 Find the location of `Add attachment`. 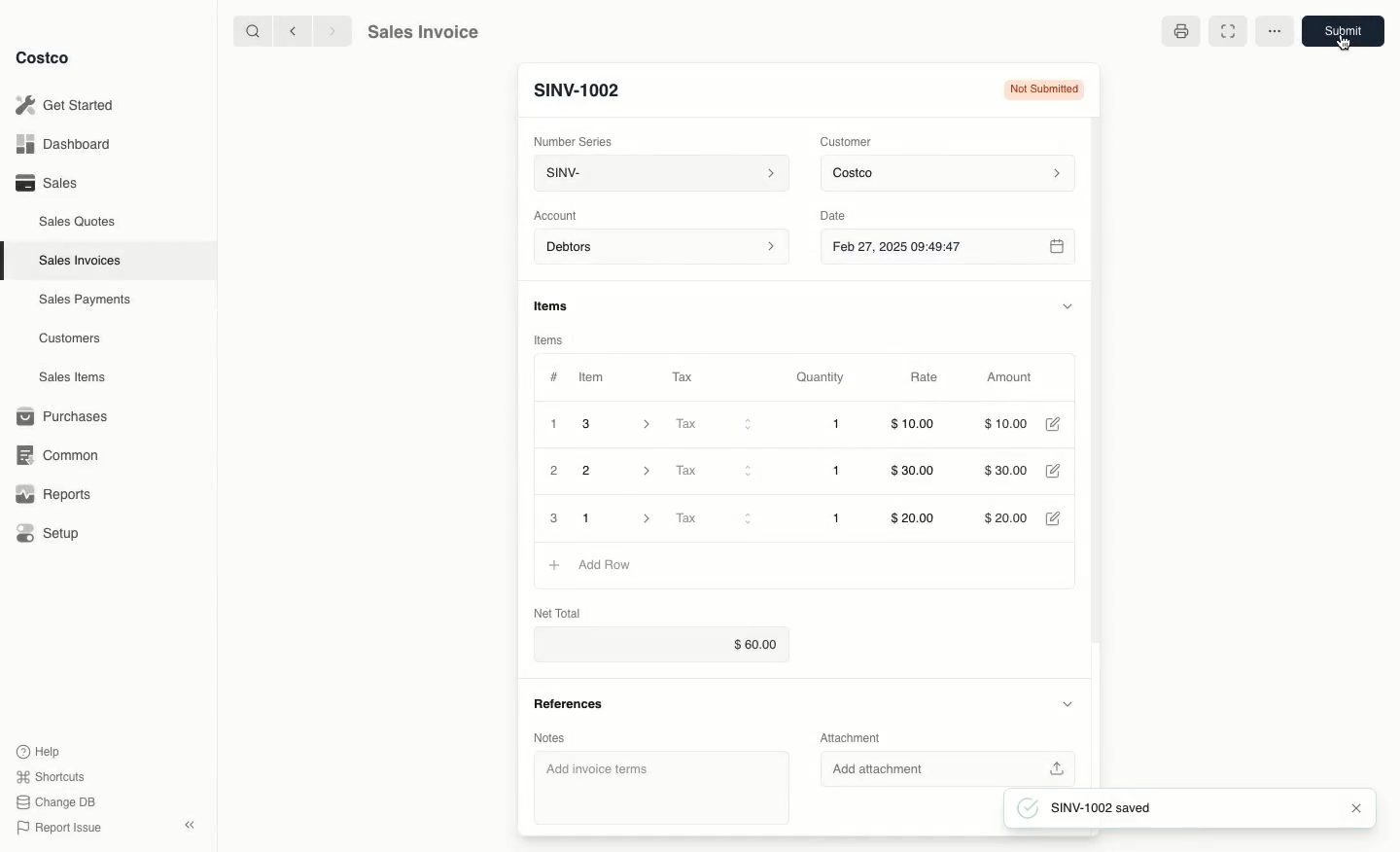

Add attachment is located at coordinates (946, 768).